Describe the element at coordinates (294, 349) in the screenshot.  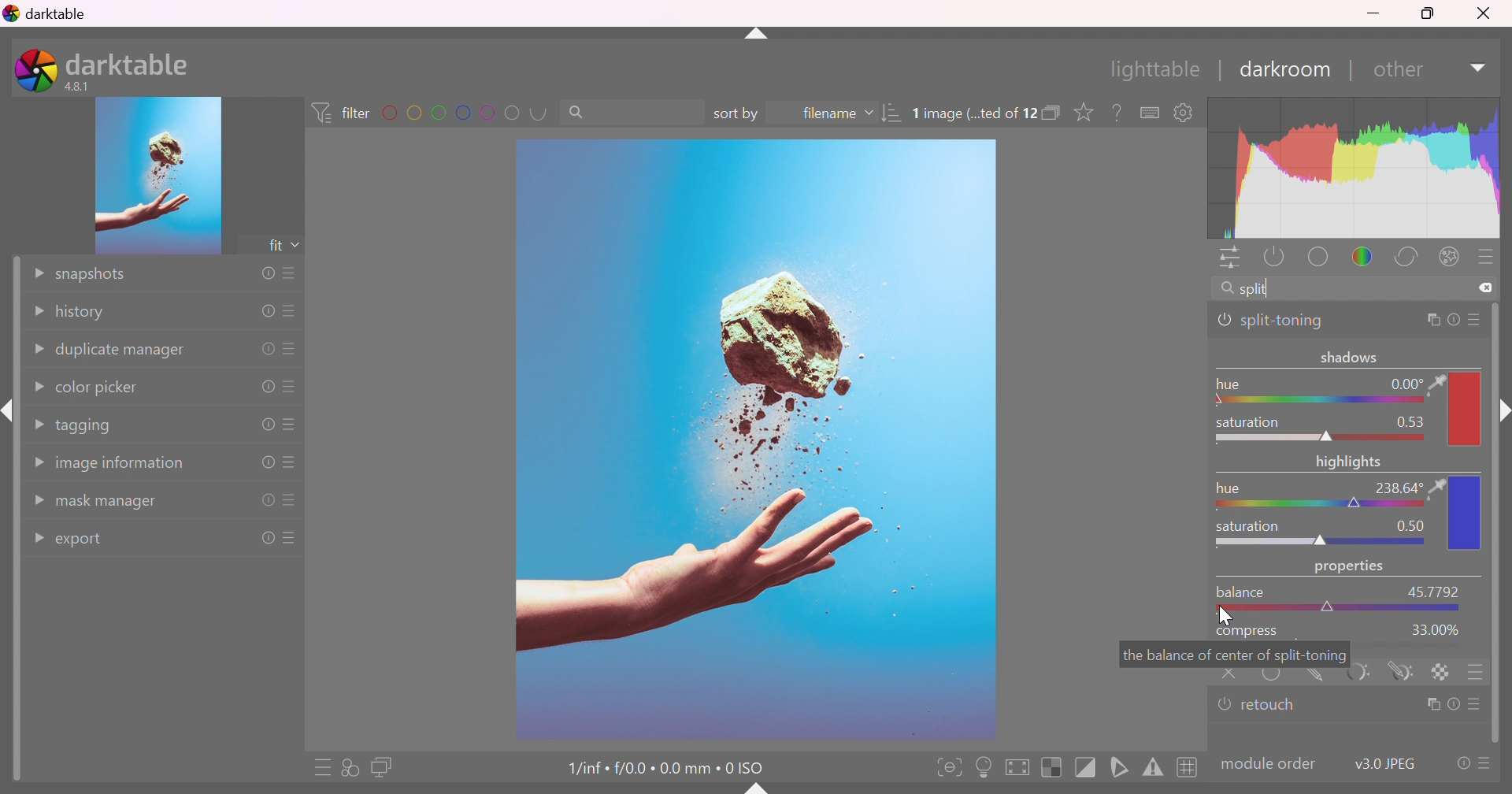
I see `presets` at that location.